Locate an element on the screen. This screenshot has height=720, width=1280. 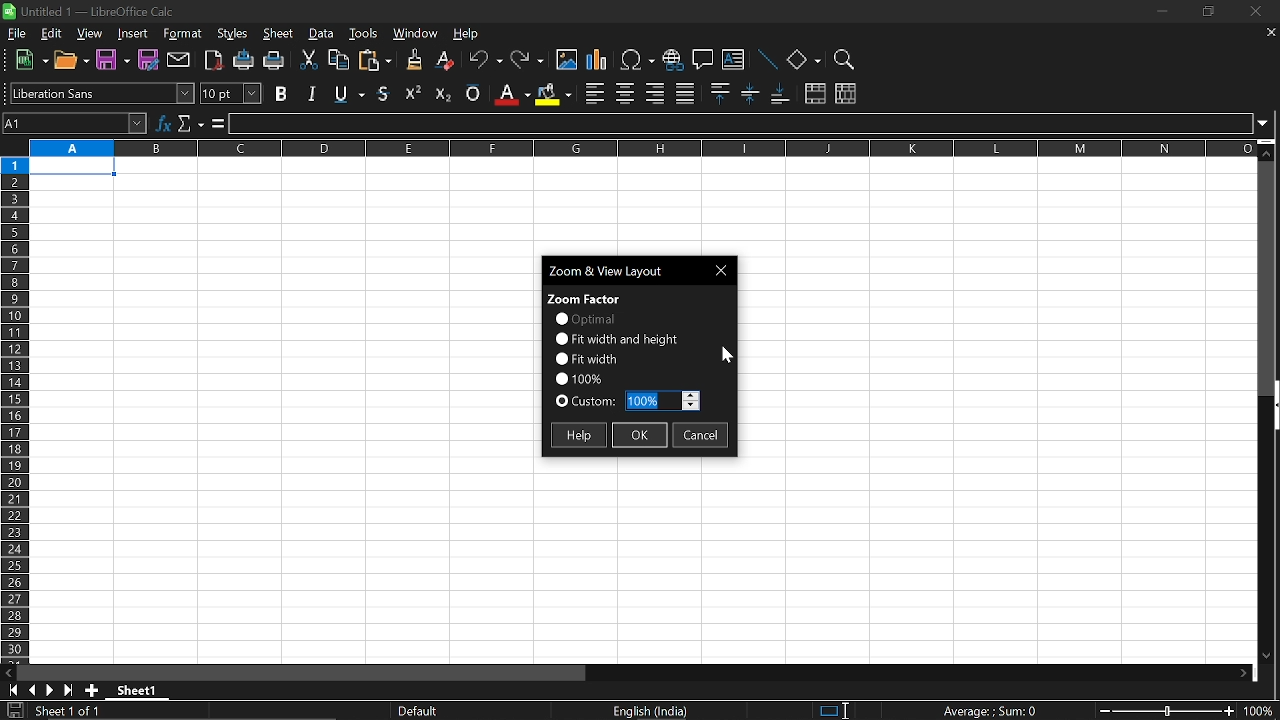
print is located at coordinates (274, 62).